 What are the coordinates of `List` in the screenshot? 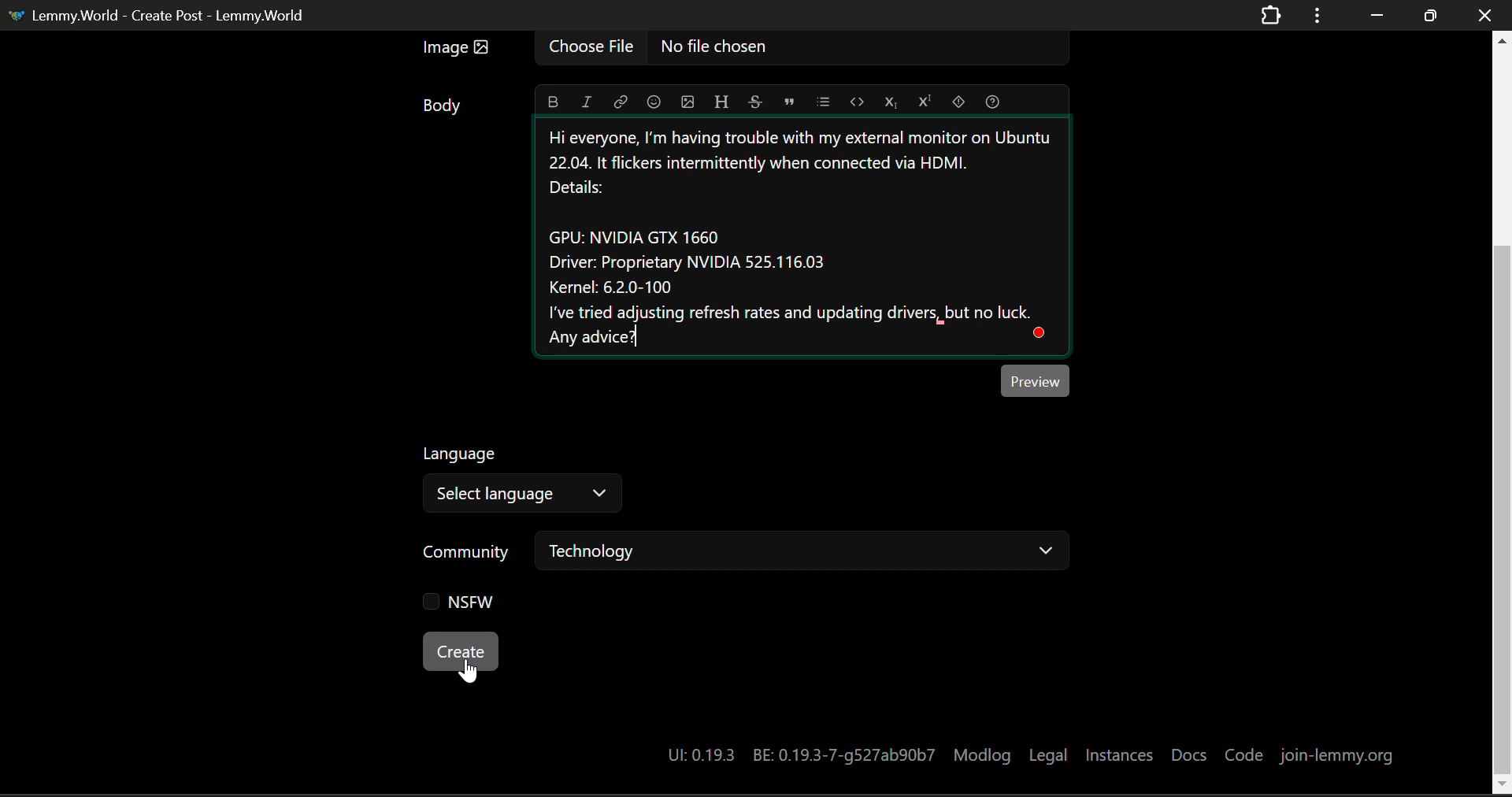 It's located at (823, 99).